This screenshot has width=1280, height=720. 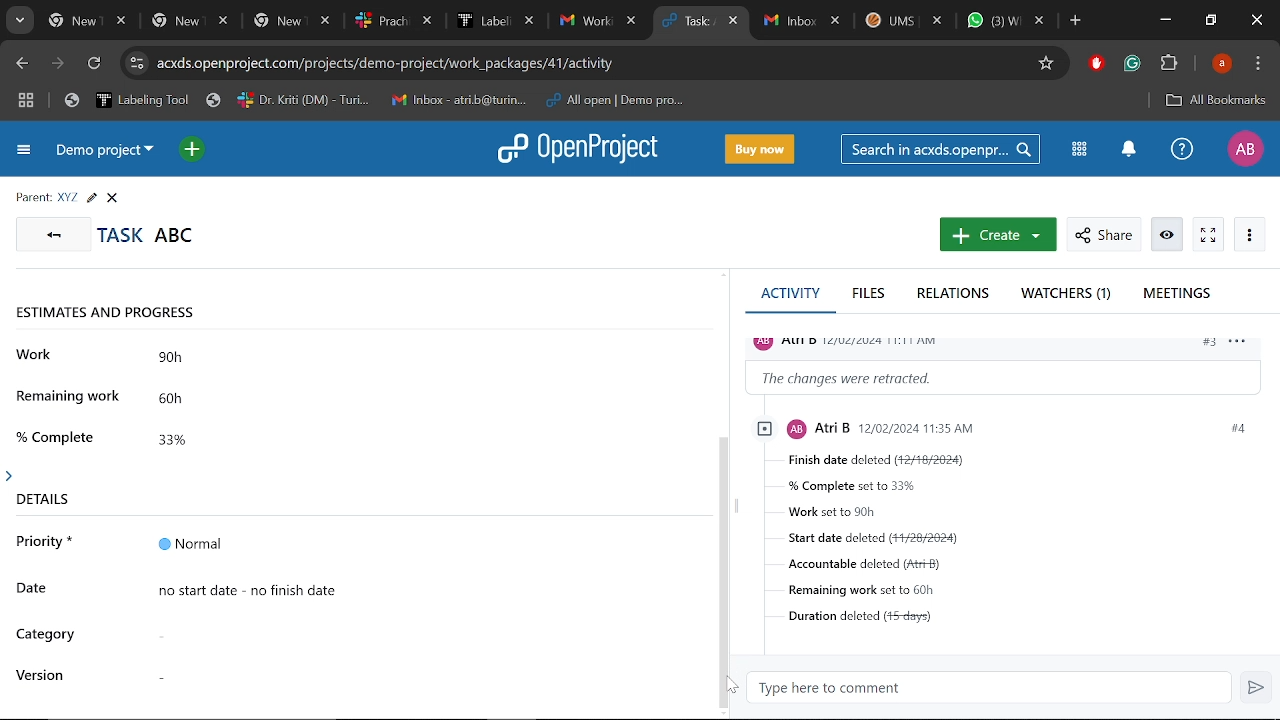 What do you see at coordinates (1215, 101) in the screenshot?
I see `All bookmarks` at bounding box center [1215, 101].